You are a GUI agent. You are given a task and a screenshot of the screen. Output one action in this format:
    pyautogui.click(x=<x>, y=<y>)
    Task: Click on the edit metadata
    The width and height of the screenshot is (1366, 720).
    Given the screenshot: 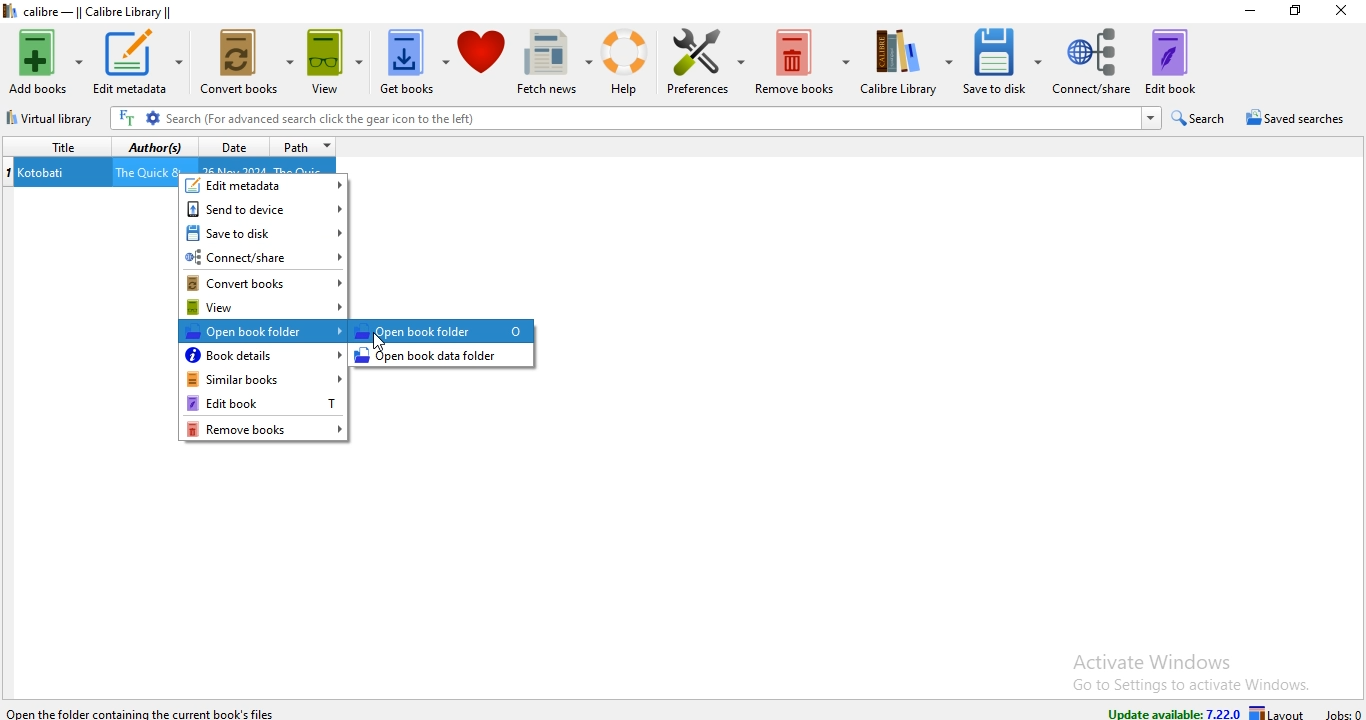 What is the action you would take?
    pyautogui.click(x=267, y=184)
    